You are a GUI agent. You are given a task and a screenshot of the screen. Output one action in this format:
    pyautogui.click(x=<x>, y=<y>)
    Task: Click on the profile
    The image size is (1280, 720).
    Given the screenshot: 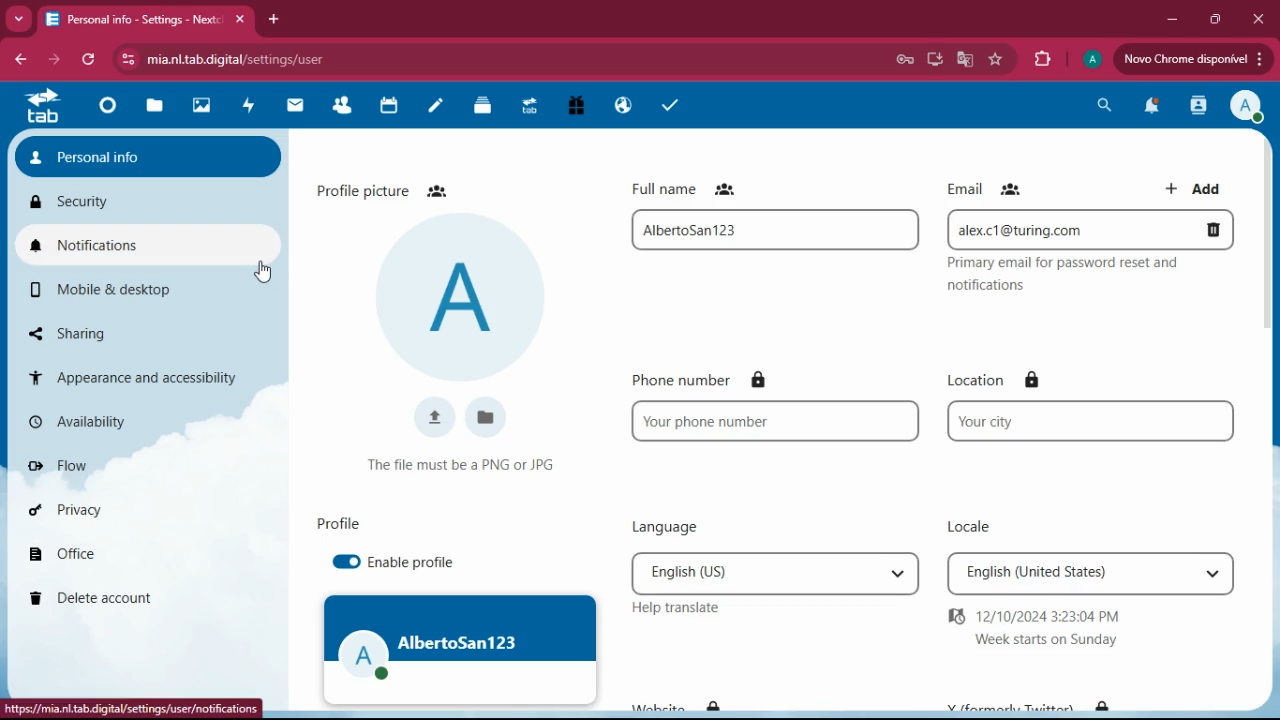 What is the action you would take?
    pyautogui.click(x=1248, y=107)
    